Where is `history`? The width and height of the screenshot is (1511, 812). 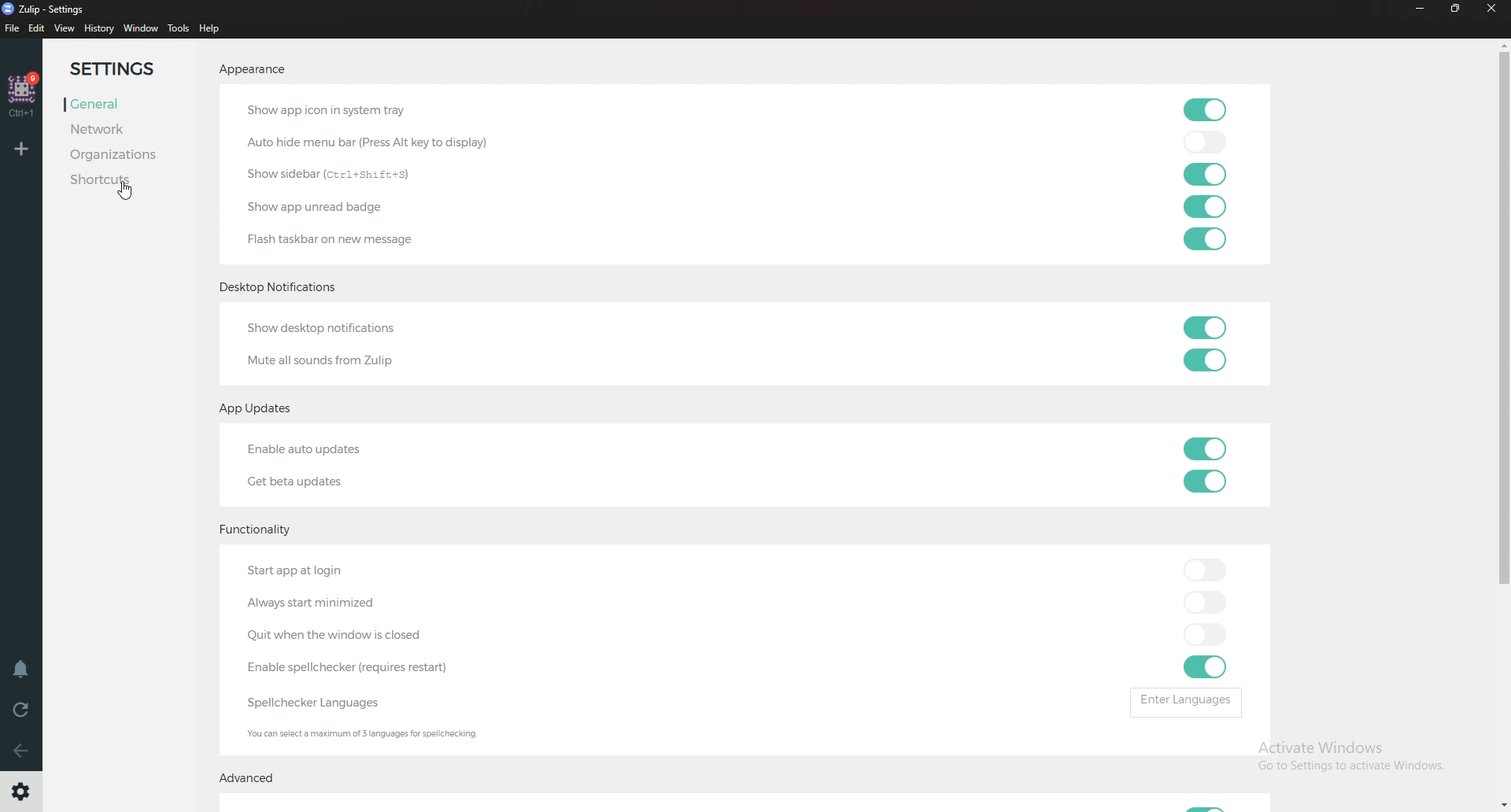 history is located at coordinates (98, 28).